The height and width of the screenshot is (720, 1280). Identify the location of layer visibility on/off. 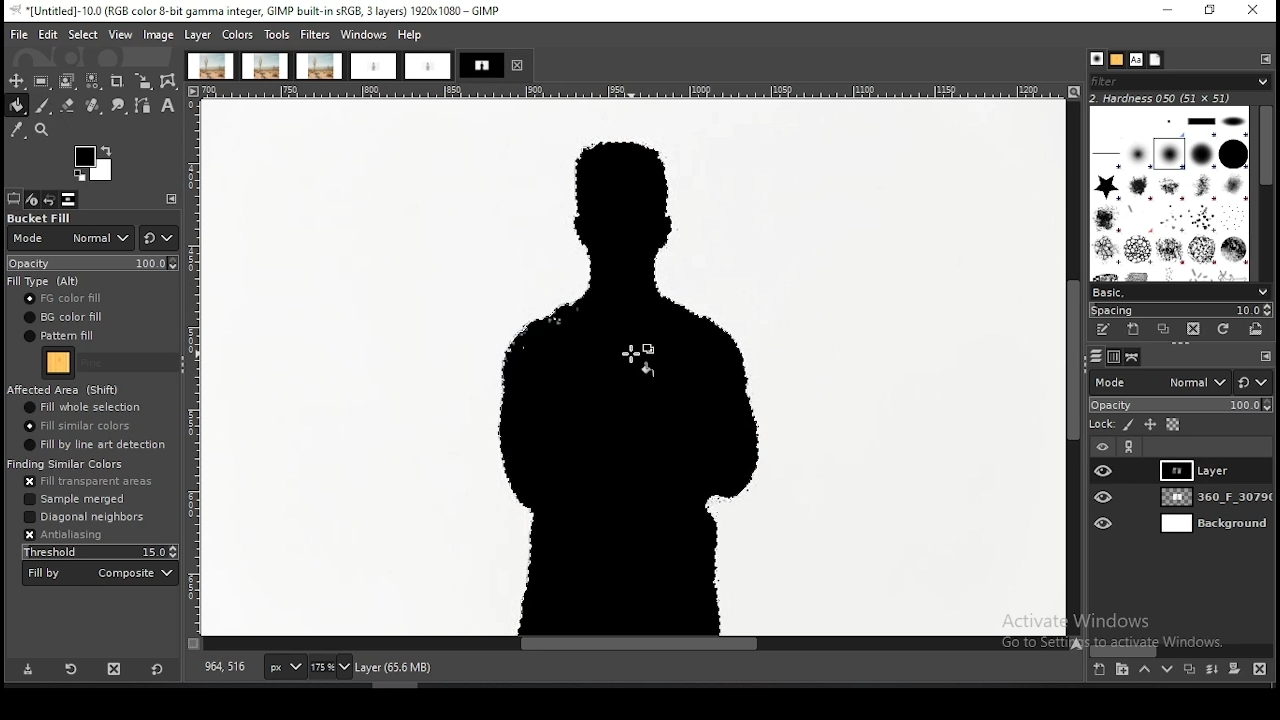
(1103, 448).